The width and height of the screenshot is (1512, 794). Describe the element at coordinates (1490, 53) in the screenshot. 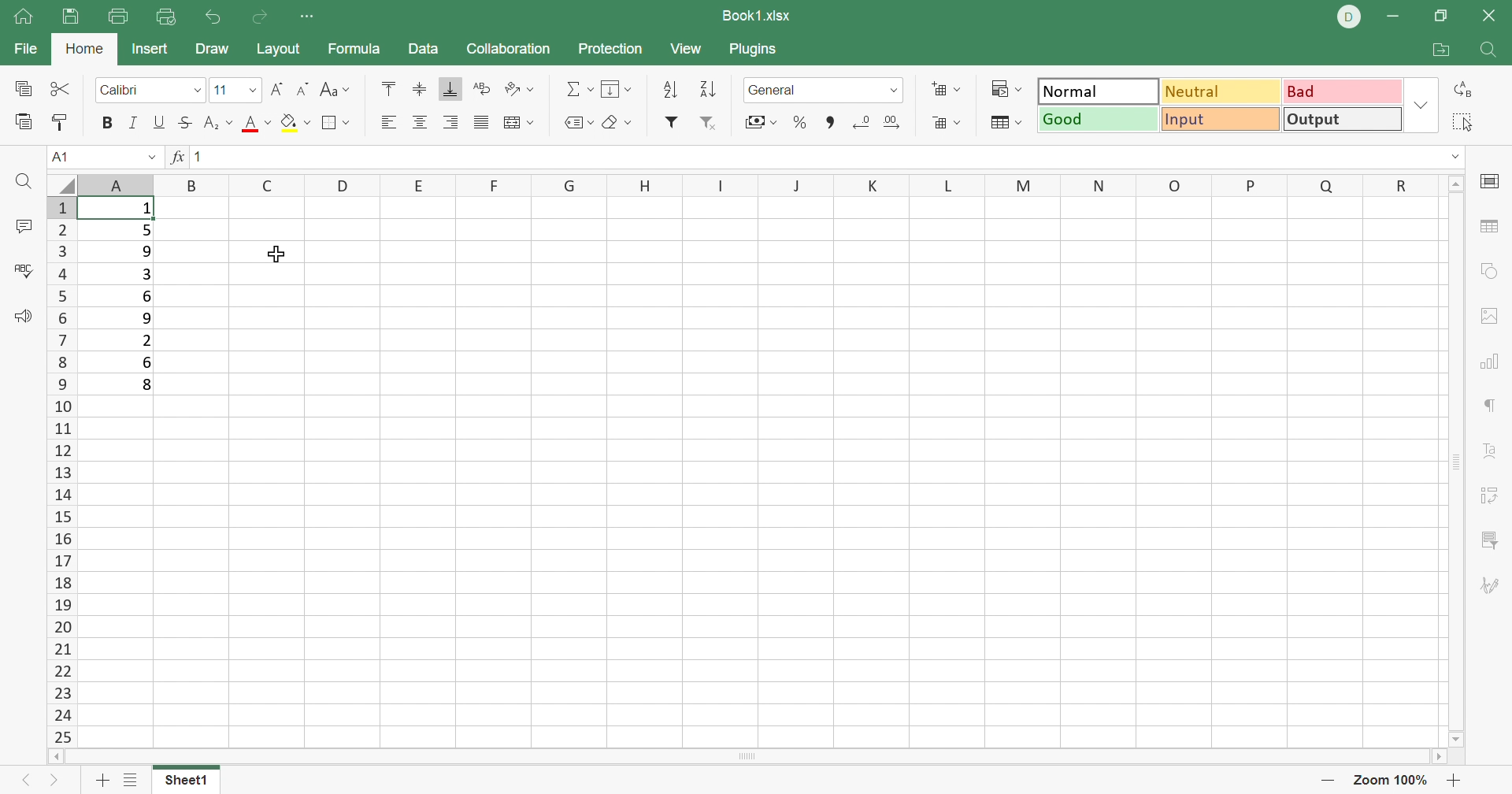

I see `Find` at that location.